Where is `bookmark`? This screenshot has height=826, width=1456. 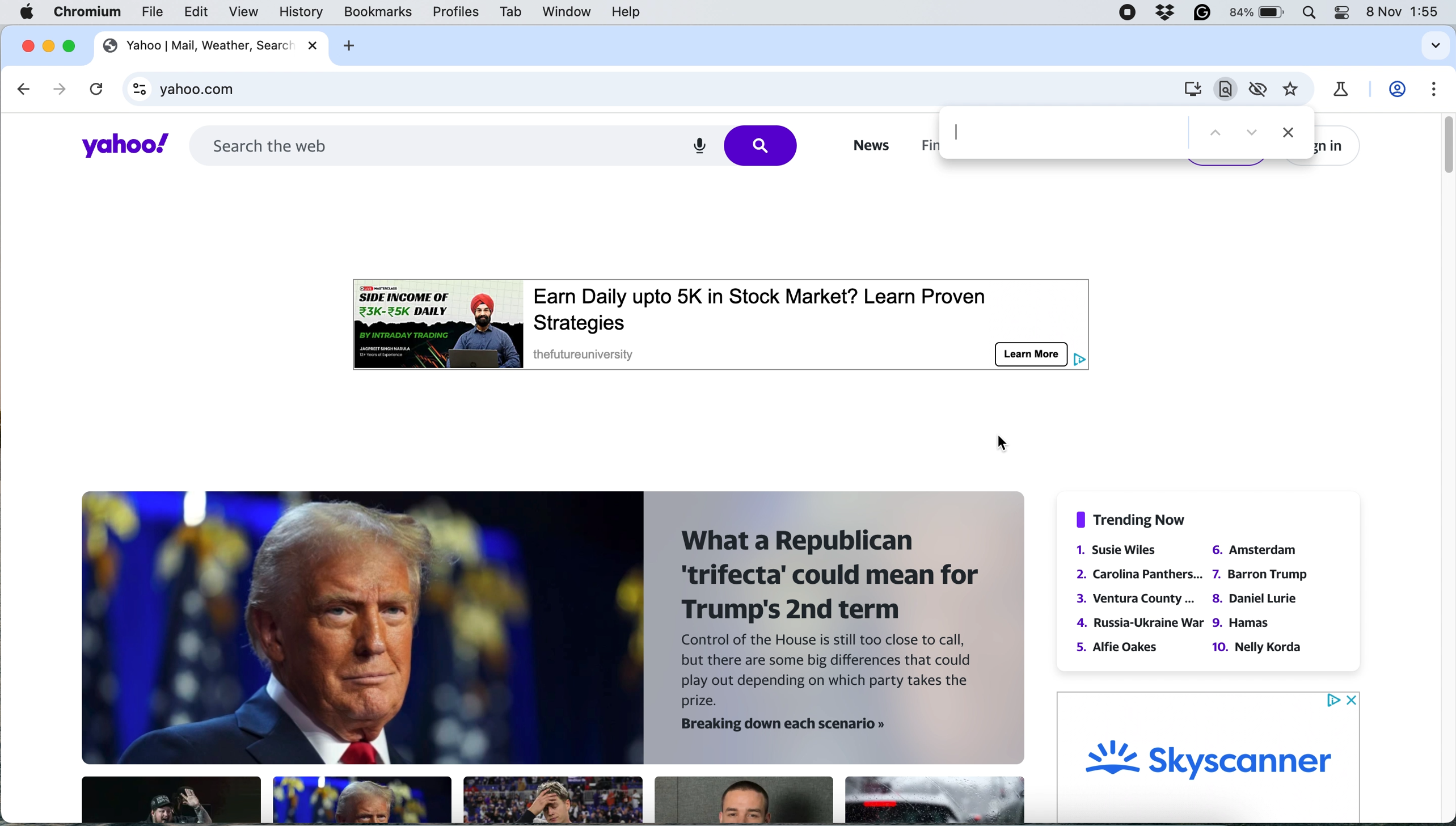 bookmark is located at coordinates (1297, 90).